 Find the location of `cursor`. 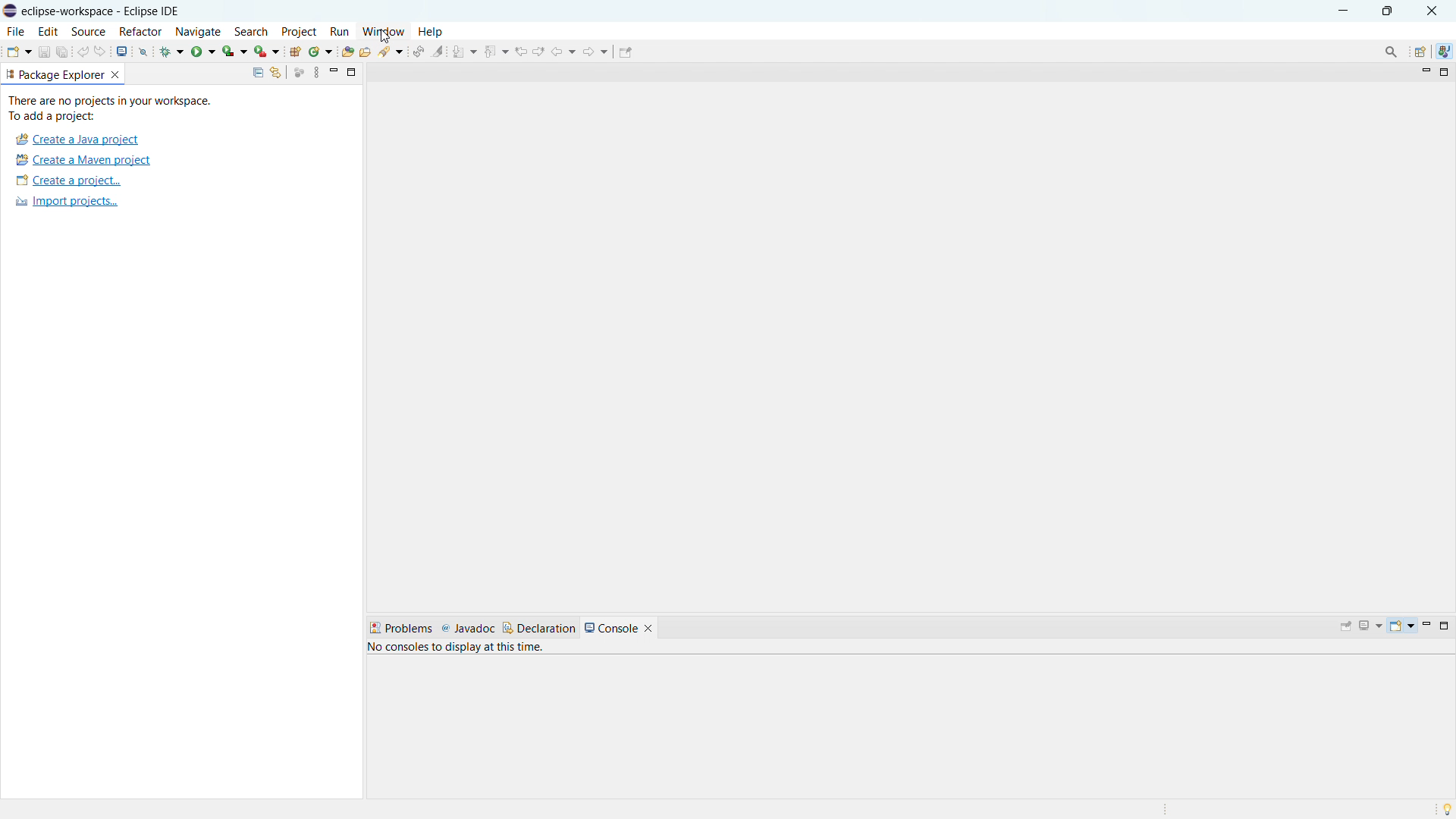

cursor is located at coordinates (386, 36).